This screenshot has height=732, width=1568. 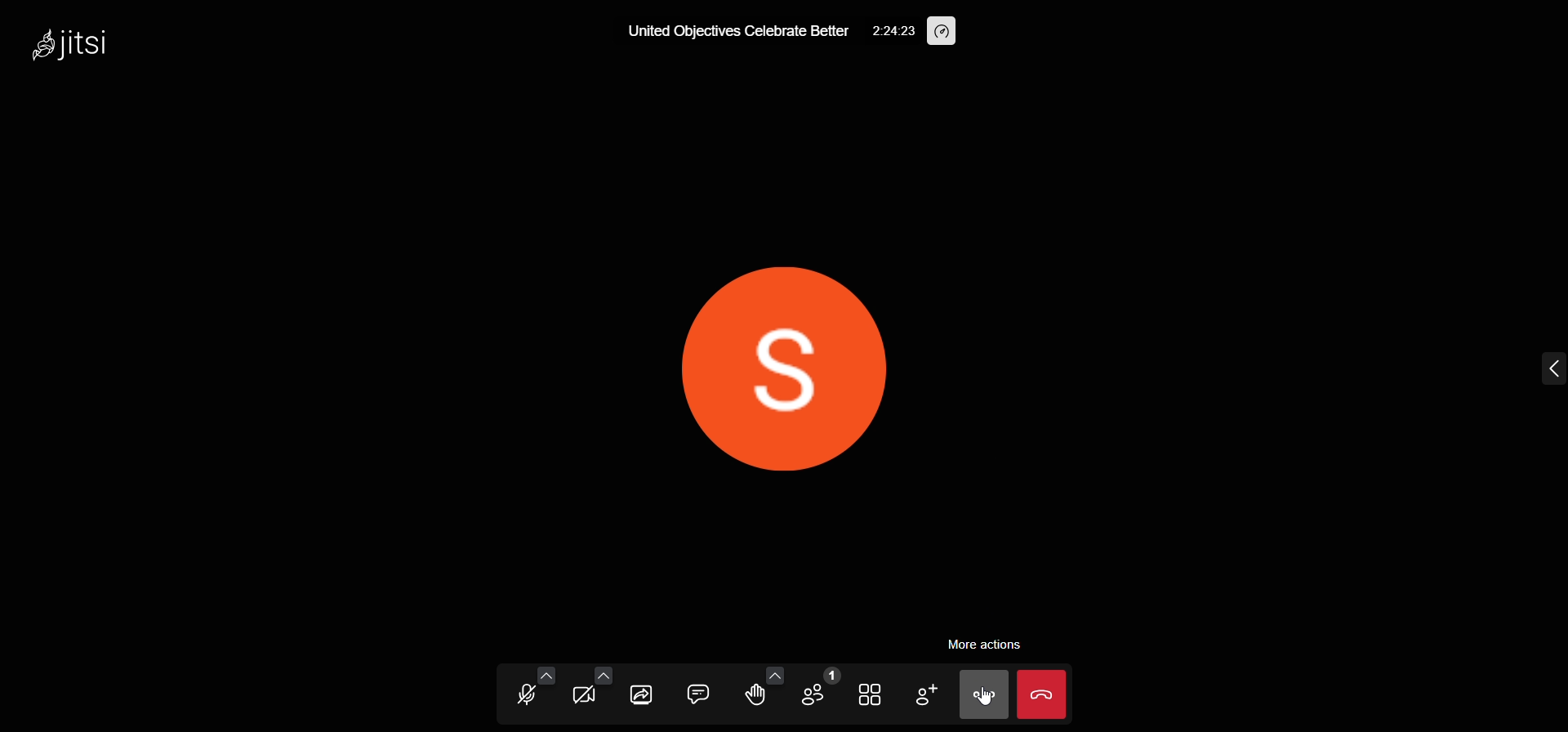 What do you see at coordinates (79, 47) in the screenshot?
I see `Jitsi` at bounding box center [79, 47].